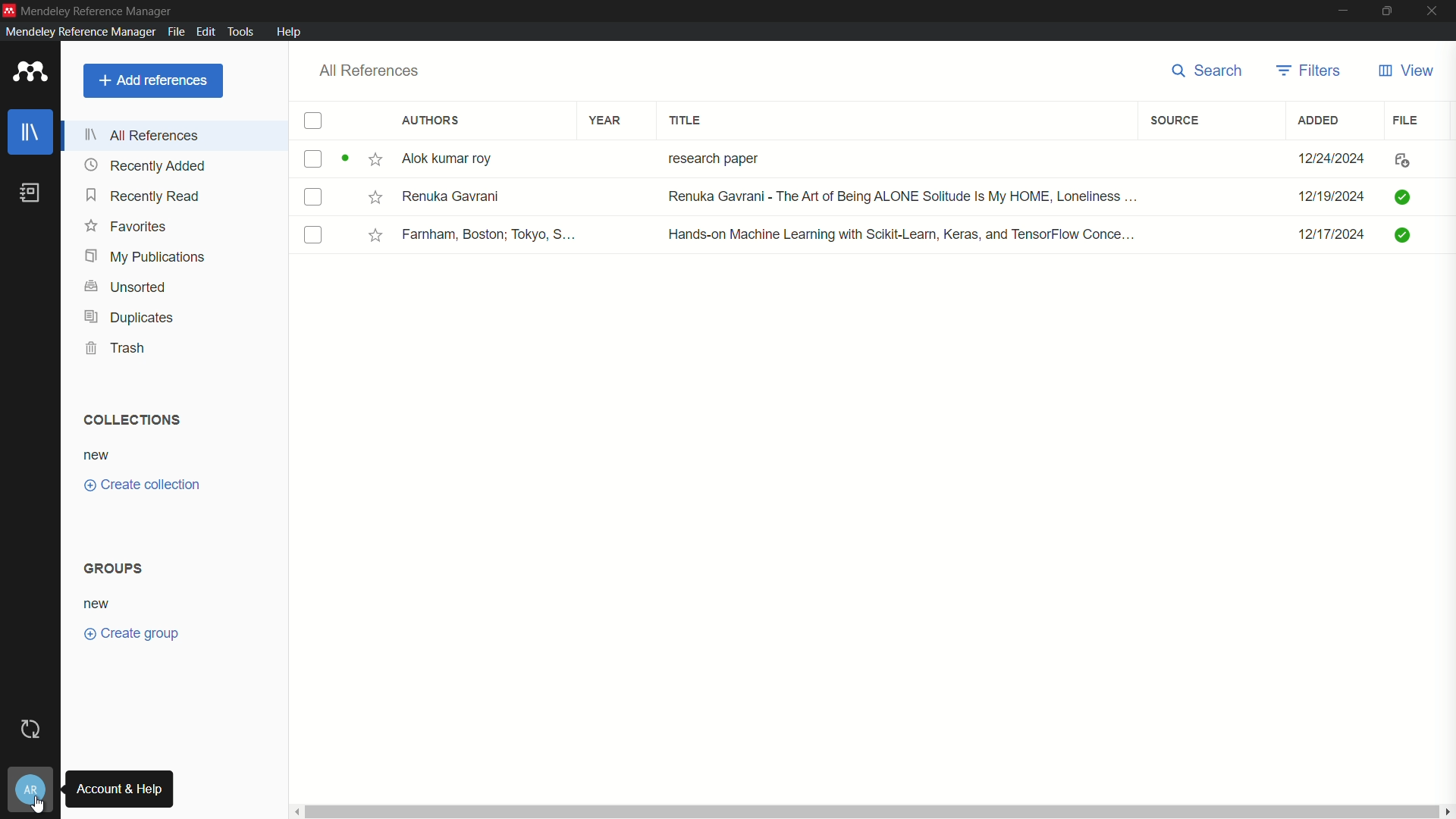  Describe the element at coordinates (133, 633) in the screenshot. I see `create group` at that location.